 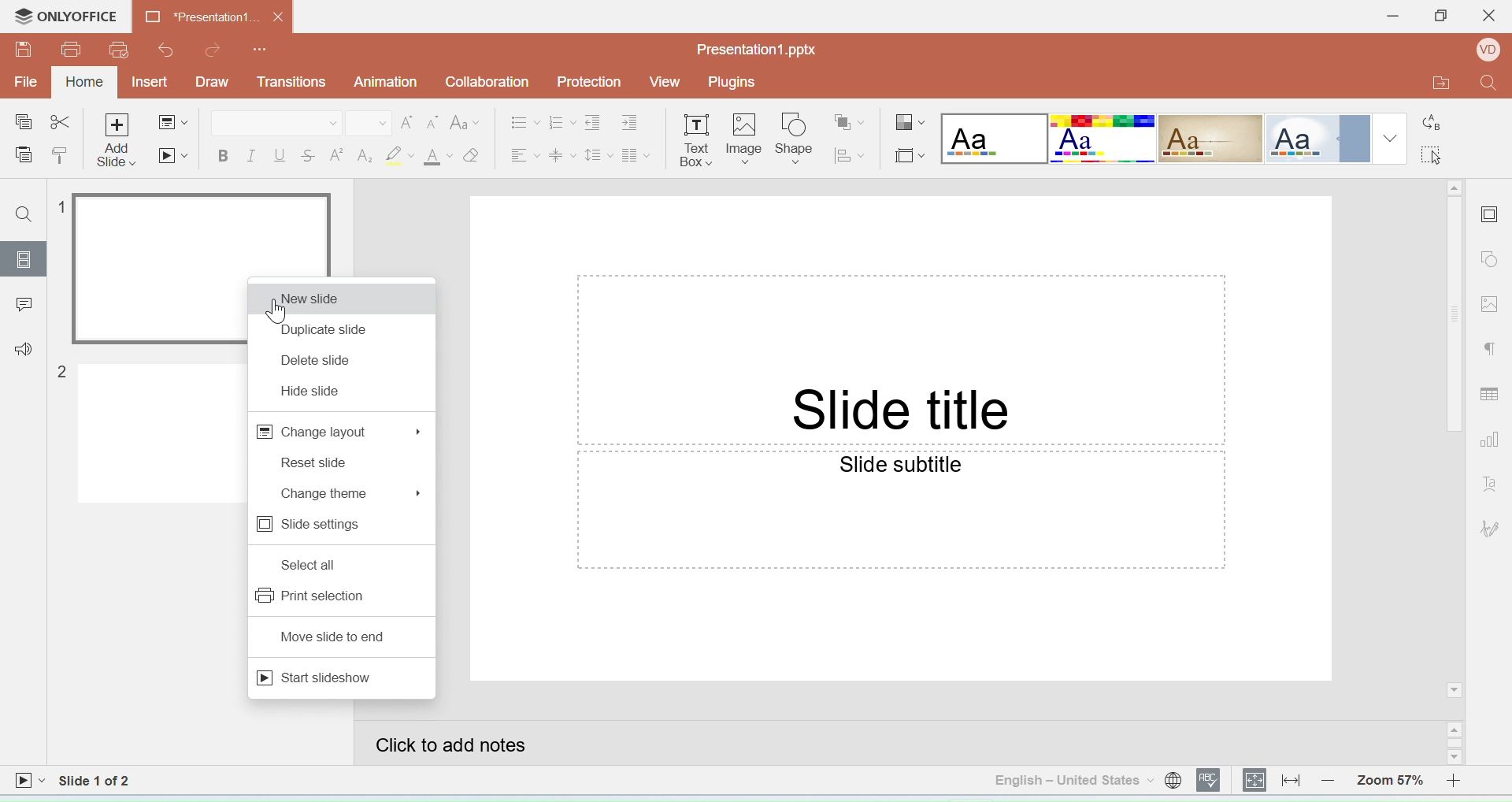 I want to click on Maximize, so click(x=1440, y=18).